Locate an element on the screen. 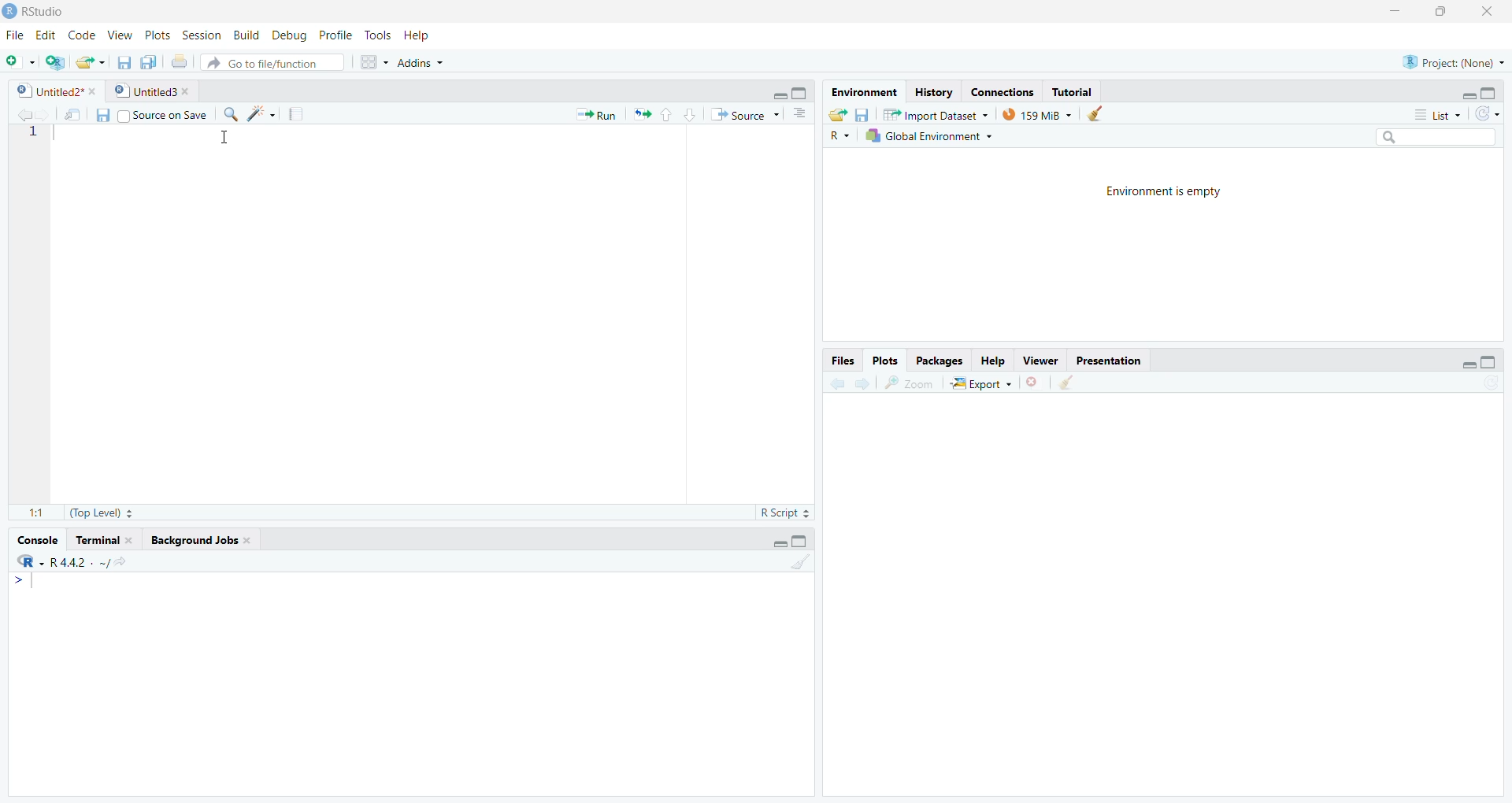 This screenshot has width=1512, height=803. 159 MiB is located at coordinates (1039, 113).